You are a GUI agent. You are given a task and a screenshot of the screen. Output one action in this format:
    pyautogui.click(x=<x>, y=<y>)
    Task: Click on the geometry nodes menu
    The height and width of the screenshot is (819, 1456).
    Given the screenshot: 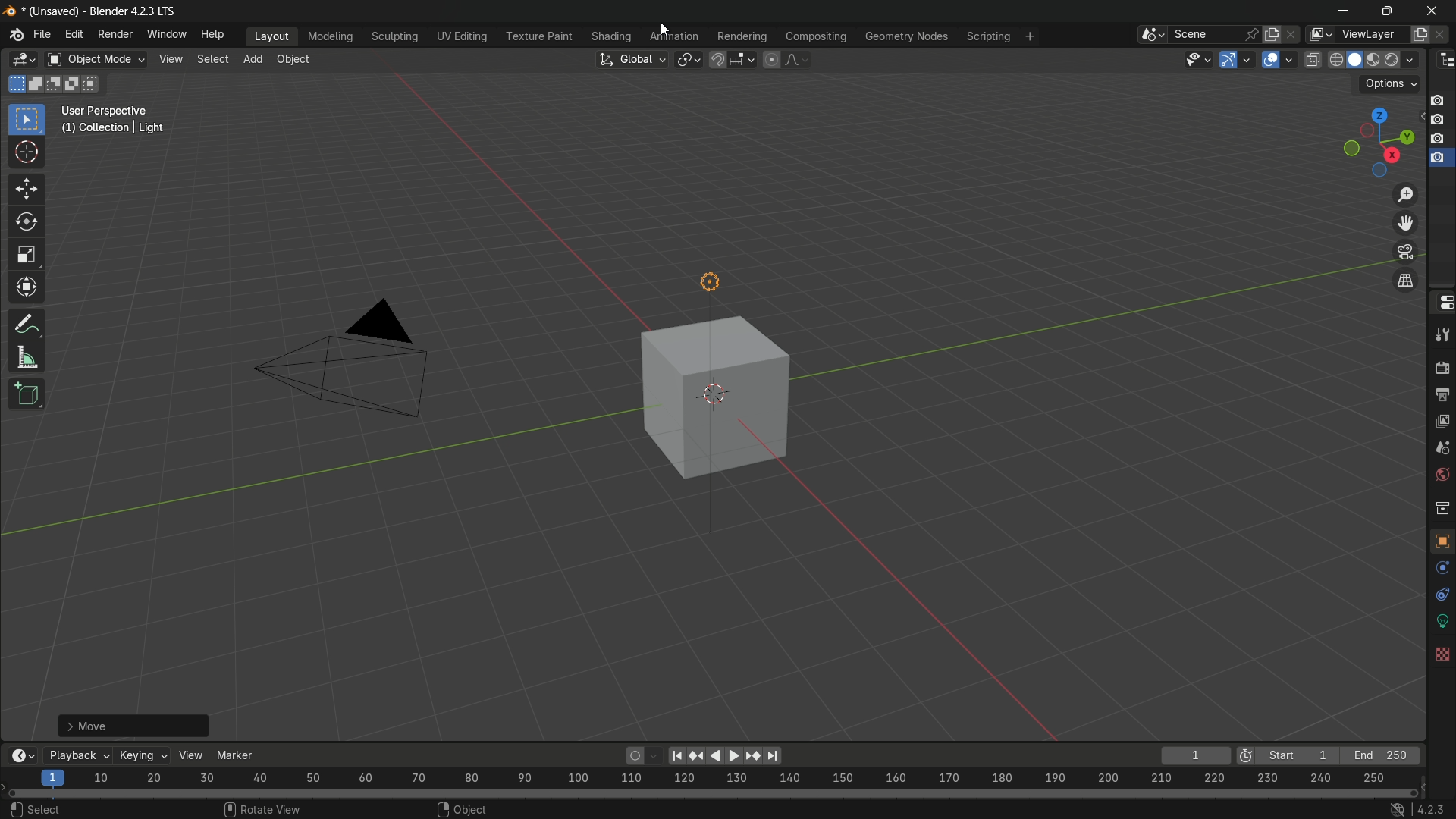 What is the action you would take?
    pyautogui.click(x=905, y=36)
    